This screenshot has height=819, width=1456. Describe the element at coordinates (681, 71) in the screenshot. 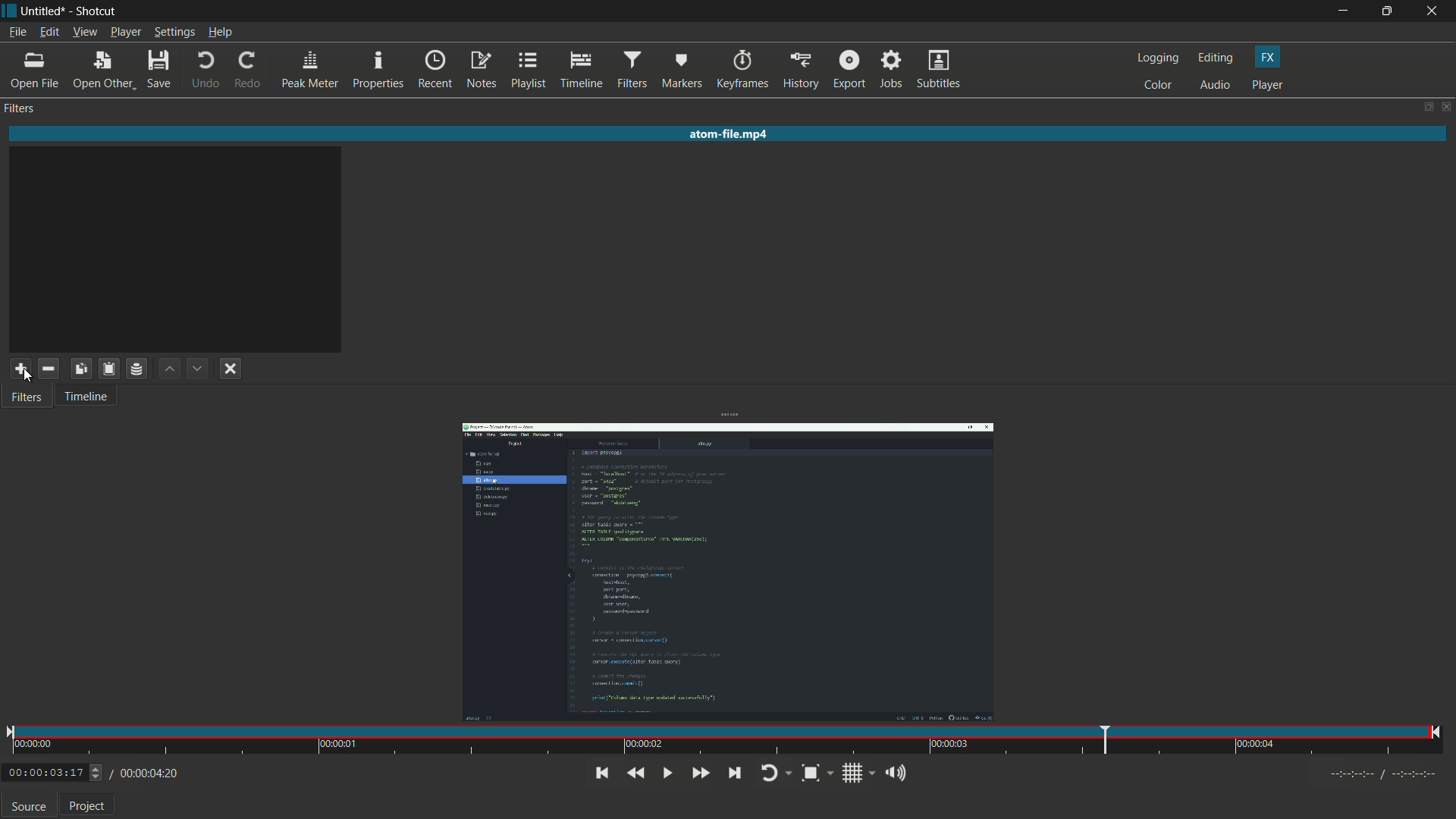

I see `markers` at that location.